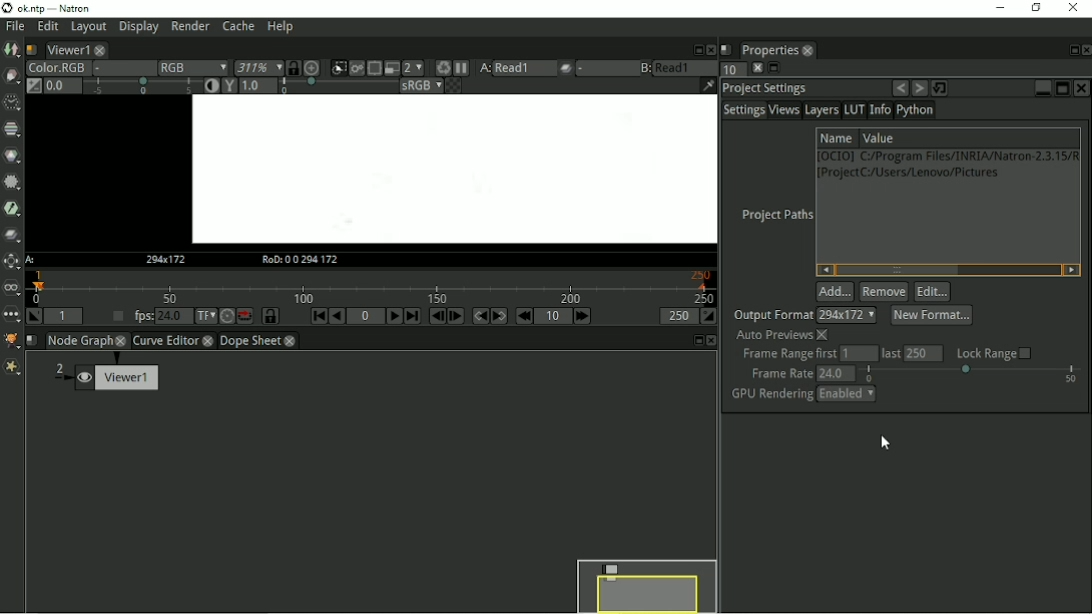 This screenshot has height=614, width=1092. Describe the element at coordinates (713, 50) in the screenshot. I see `` at that location.